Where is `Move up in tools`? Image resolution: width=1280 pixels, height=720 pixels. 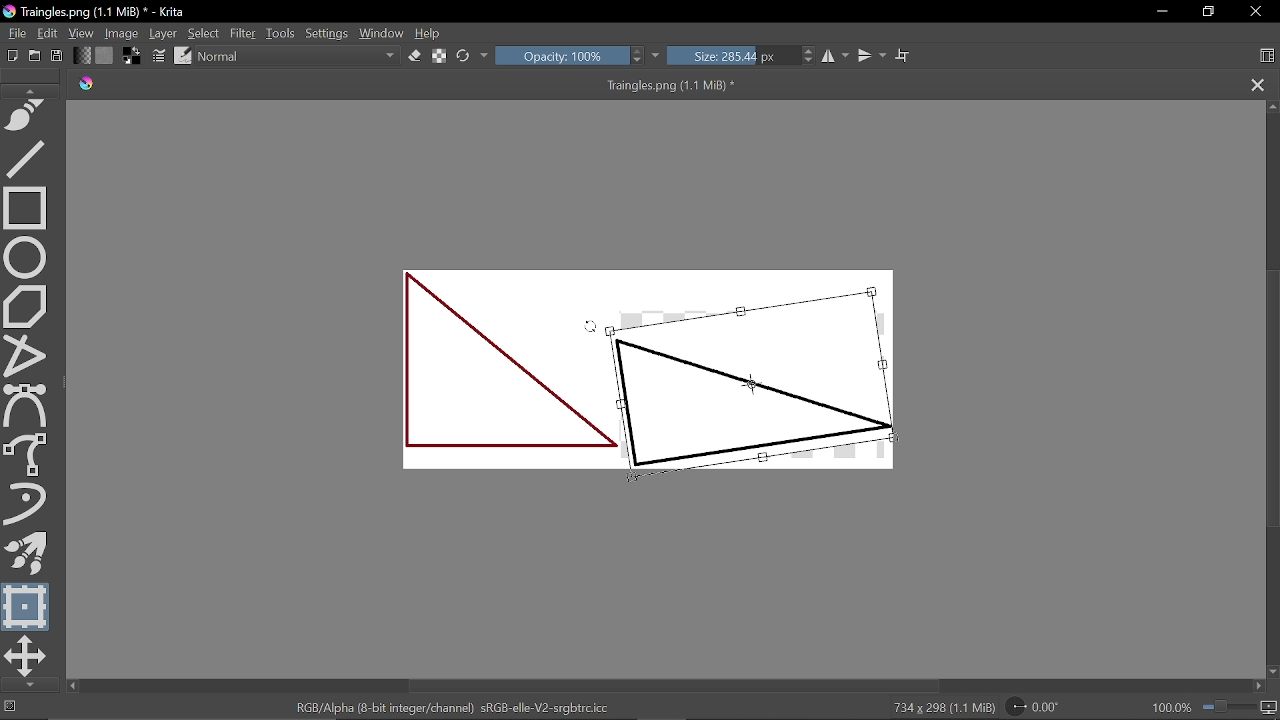 Move up in tools is located at coordinates (33, 90).